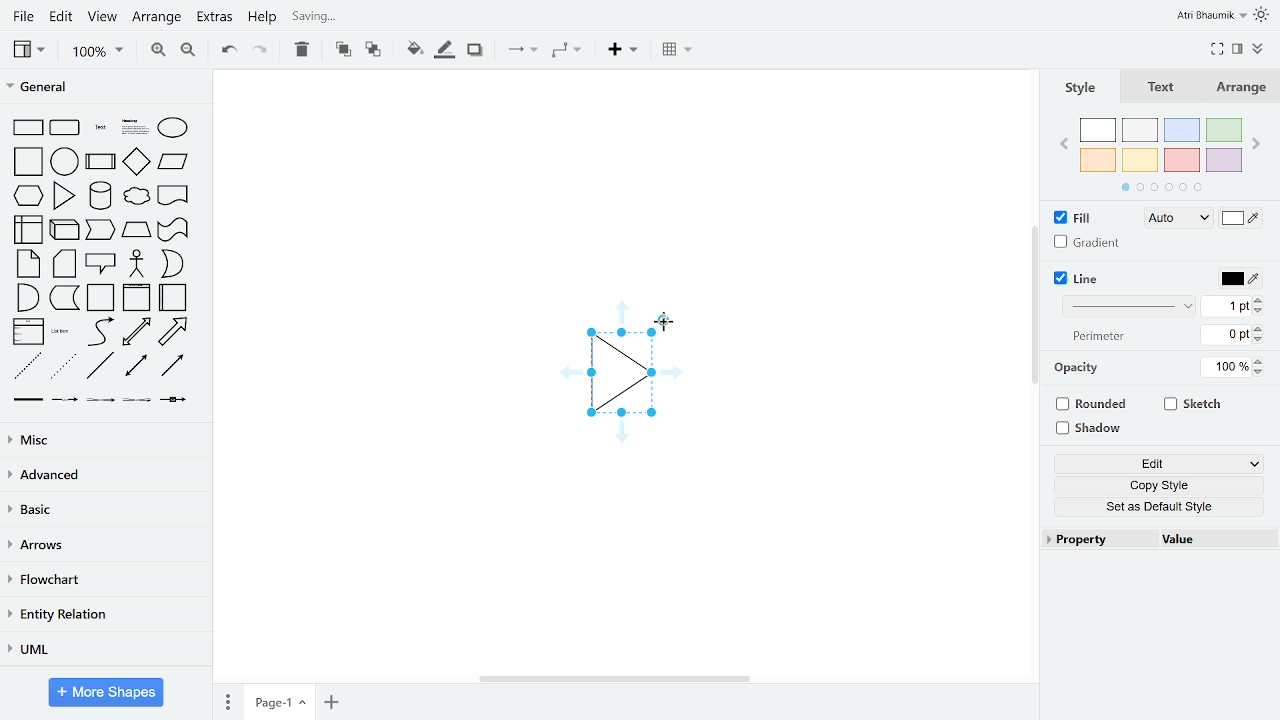 The height and width of the screenshot is (720, 1280). Describe the element at coordinates (101, 648) in the screenshot. I see `UML` at that location.